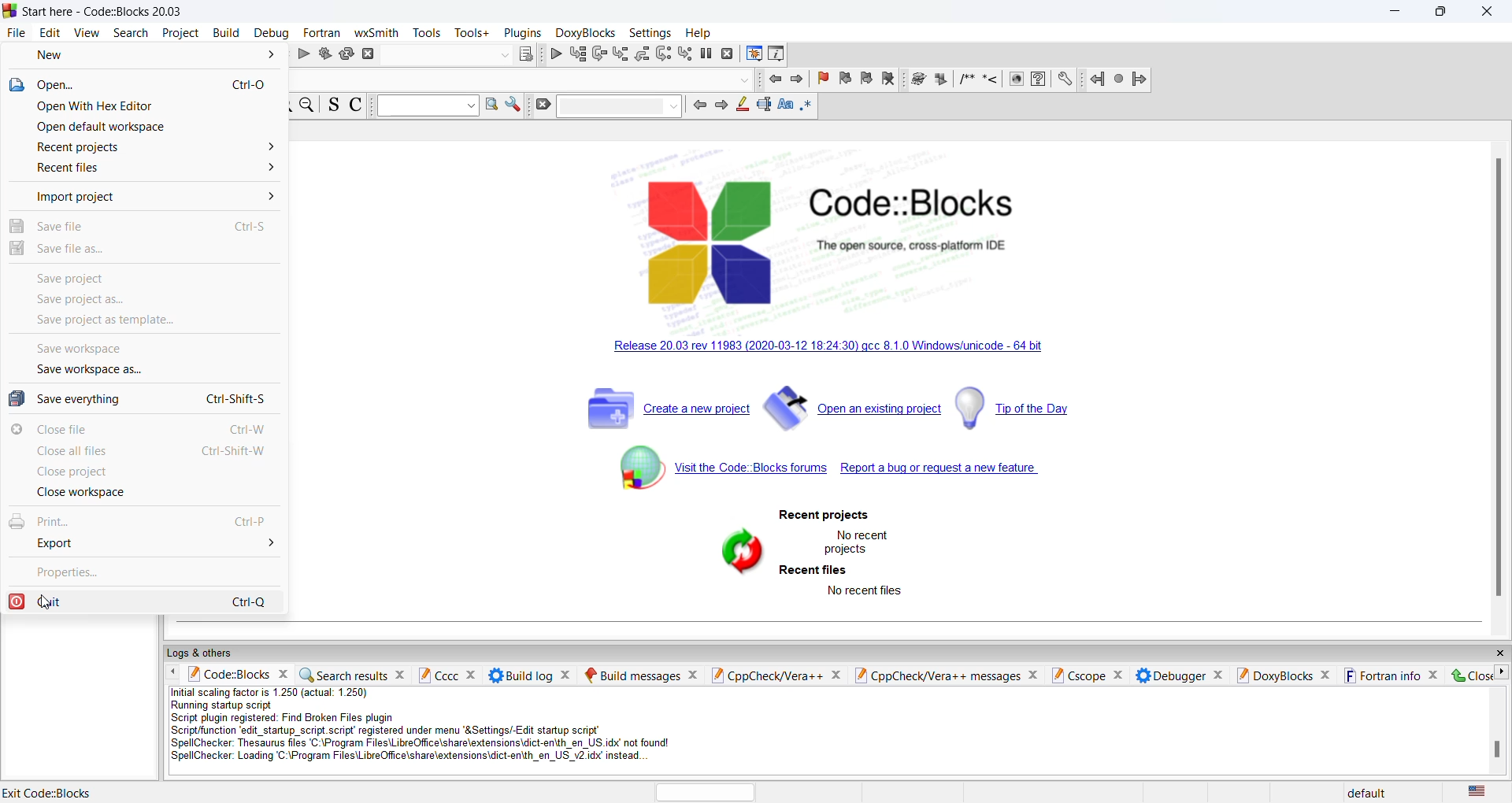  I want to click on close, so click(1467, 675).